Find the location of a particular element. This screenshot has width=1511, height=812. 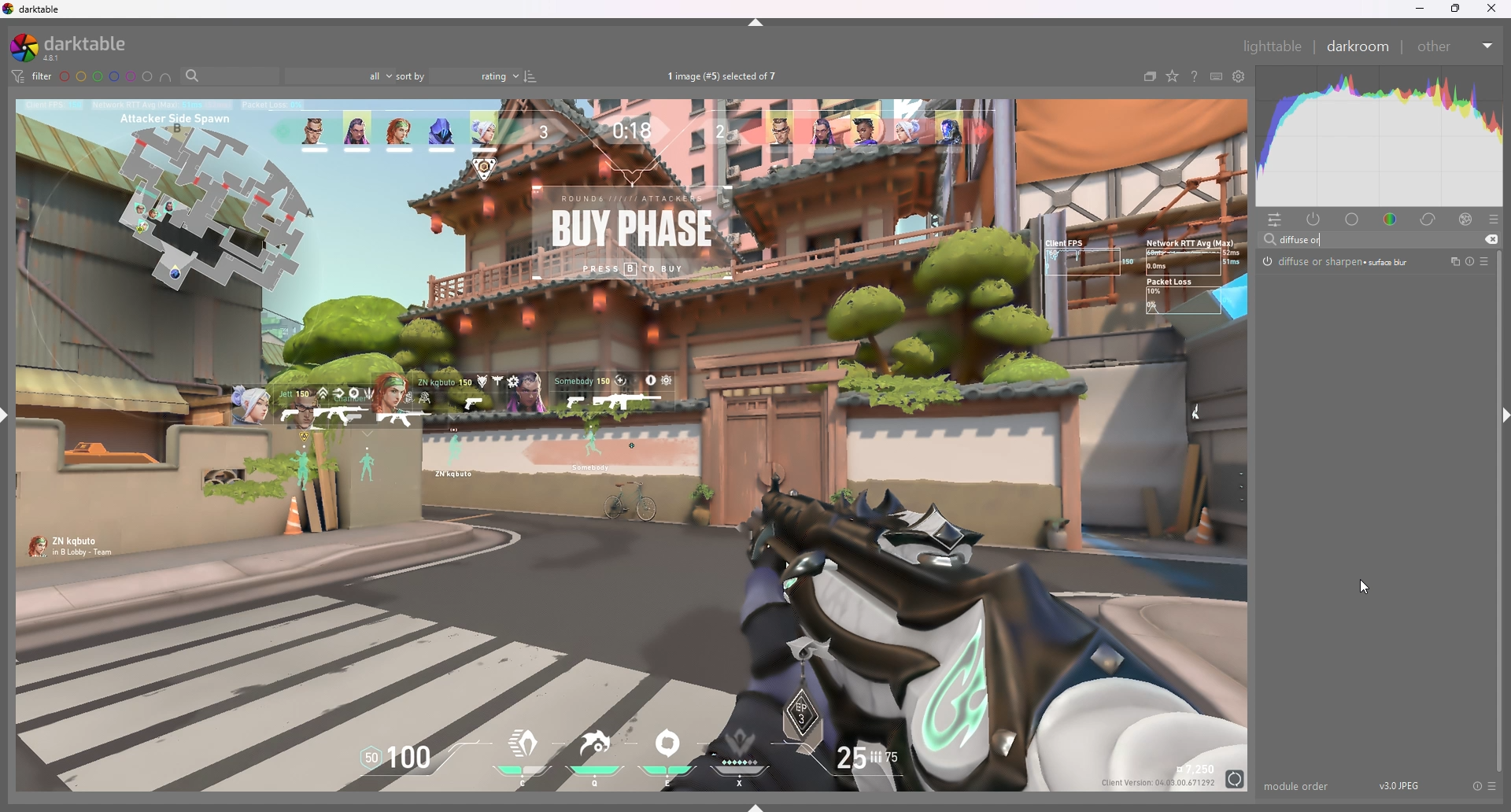

hide is located at coordinates (757, 22).